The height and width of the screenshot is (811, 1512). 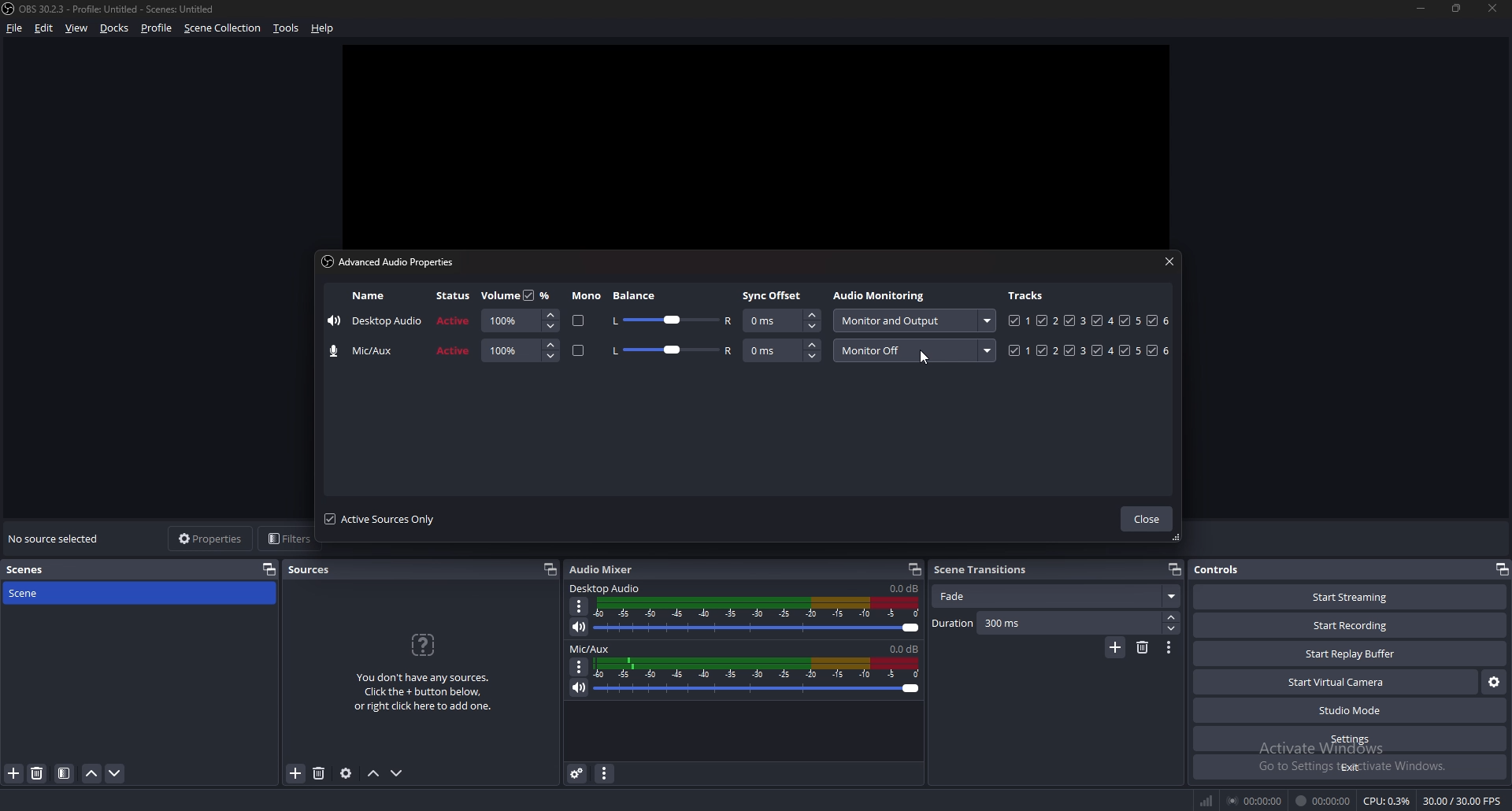 What do you see at coordinates (1142, 648) in the screenshot?
I see `remove transition` at bounding box center [1142, 648].